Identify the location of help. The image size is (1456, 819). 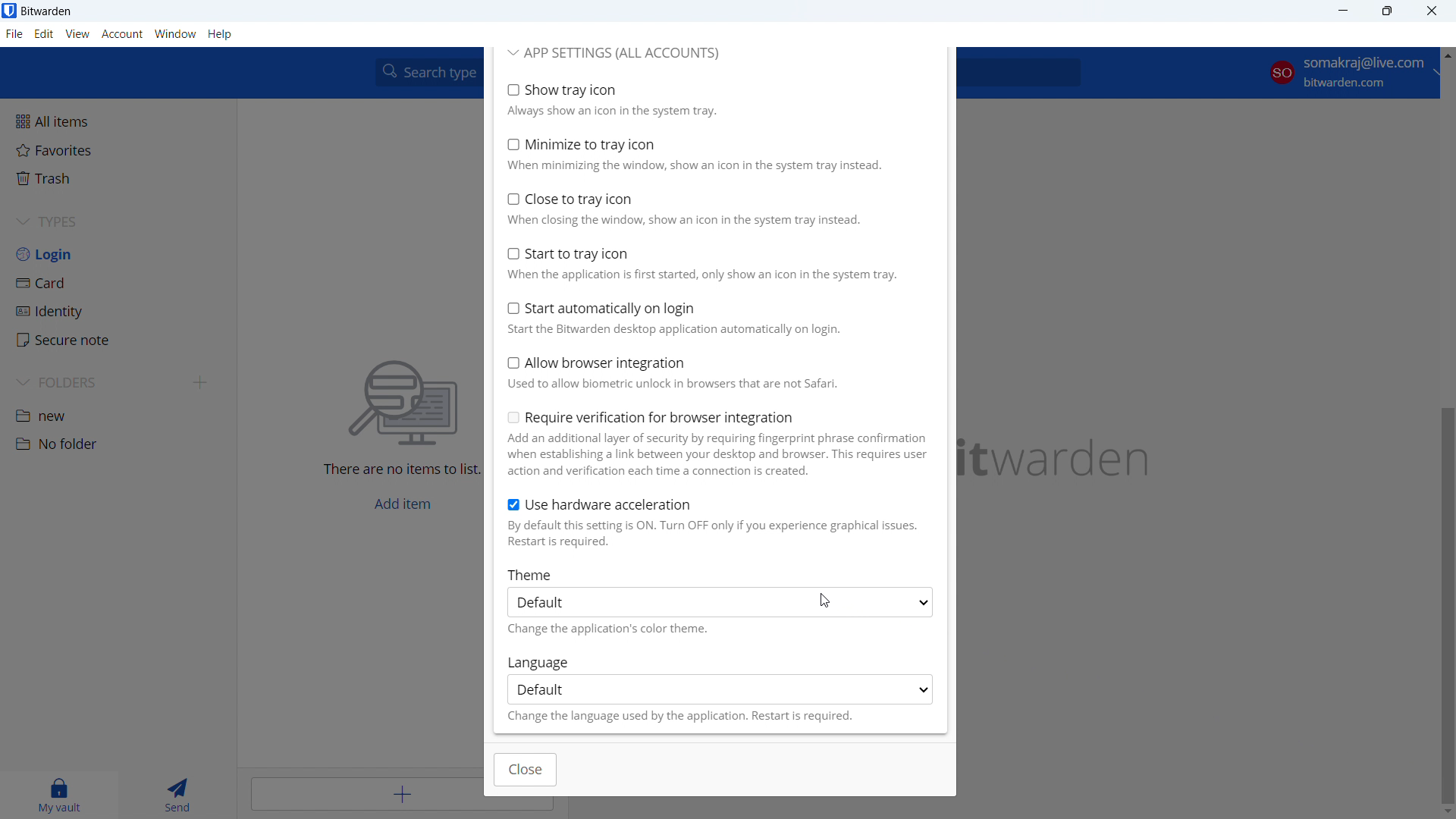
(221, 35).